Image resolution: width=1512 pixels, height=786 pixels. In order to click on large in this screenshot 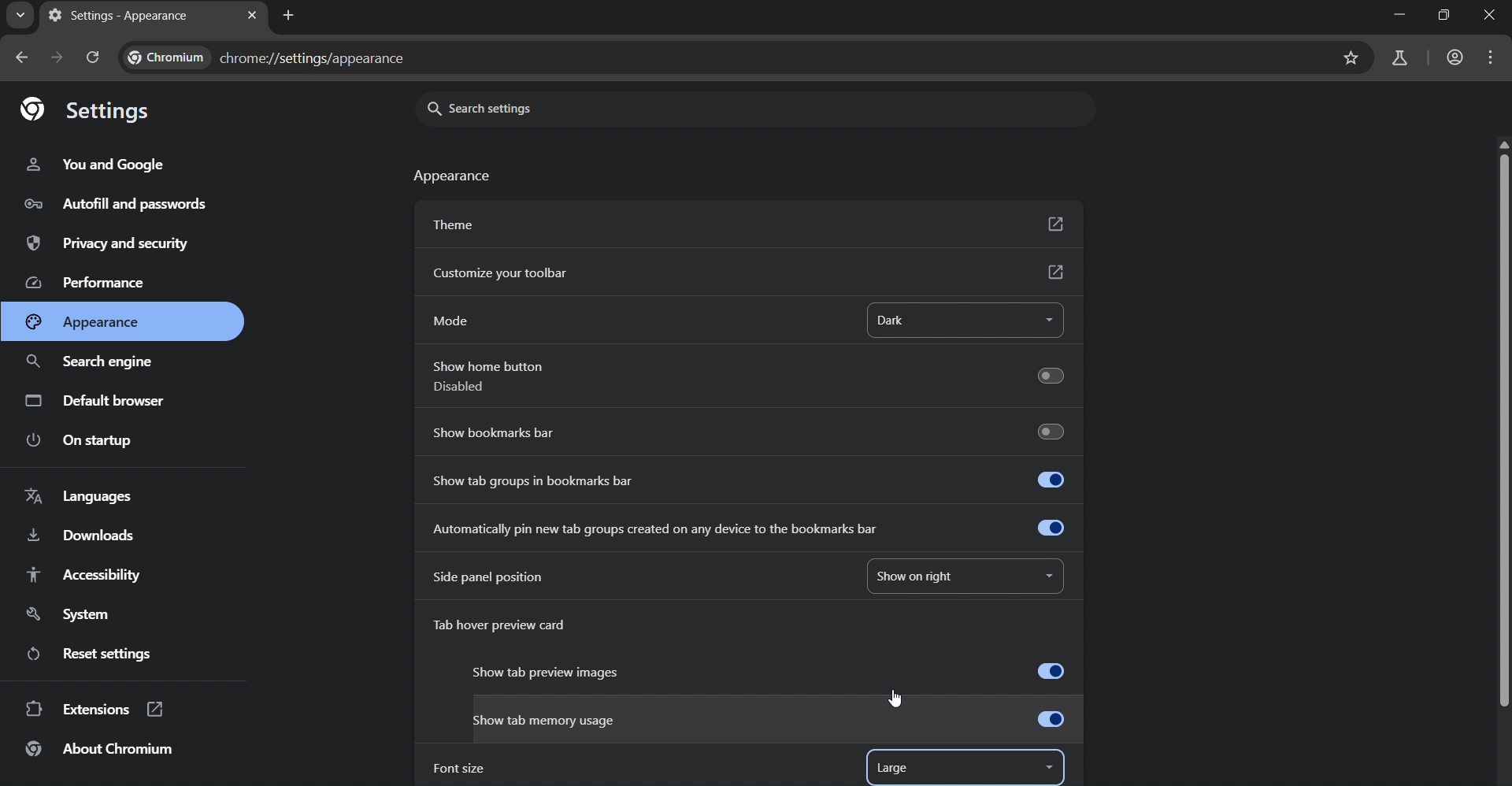, I will do `click(897, 769)`.